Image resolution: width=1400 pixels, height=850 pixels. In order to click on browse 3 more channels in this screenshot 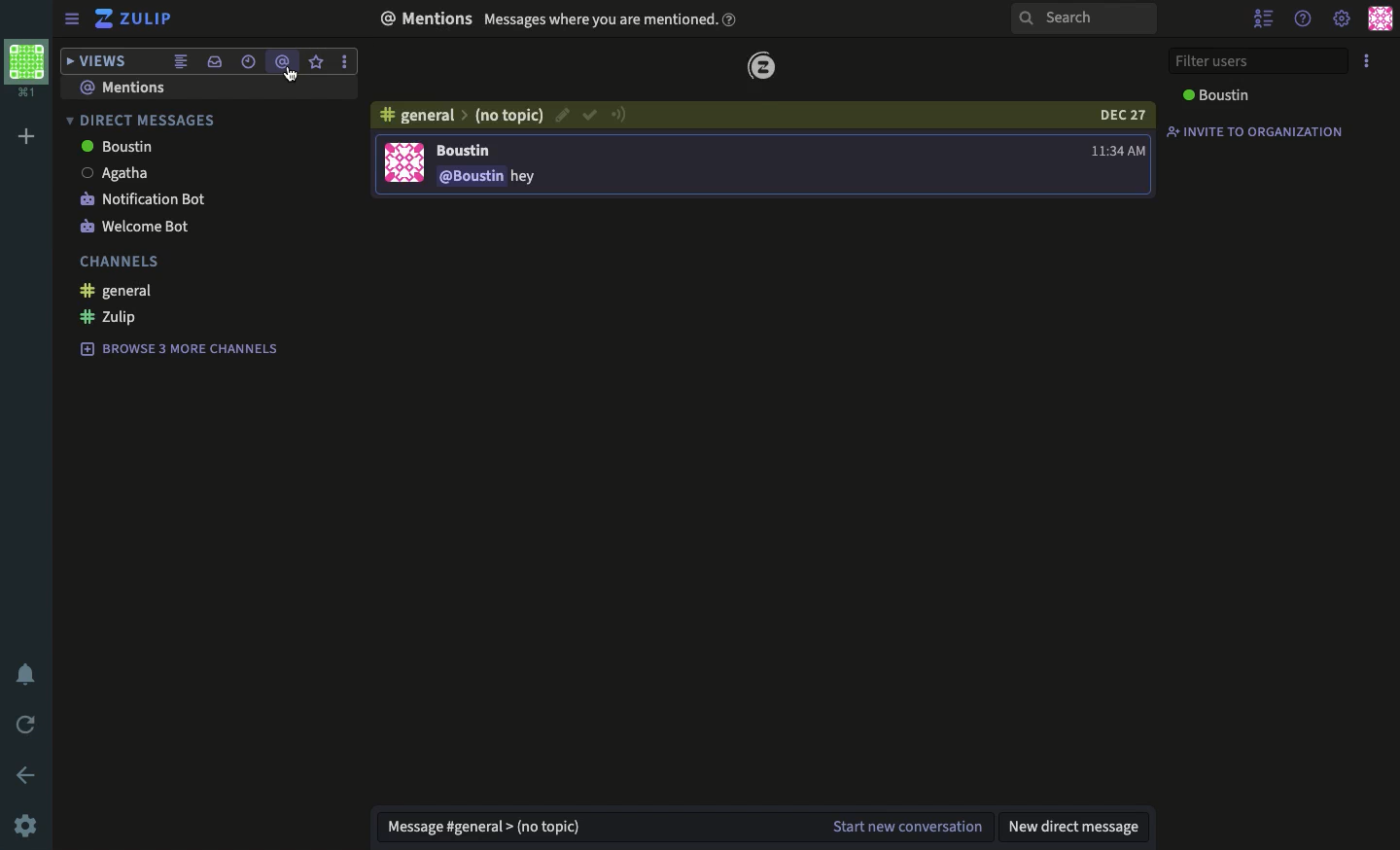, I will do `click(185, 347)`.